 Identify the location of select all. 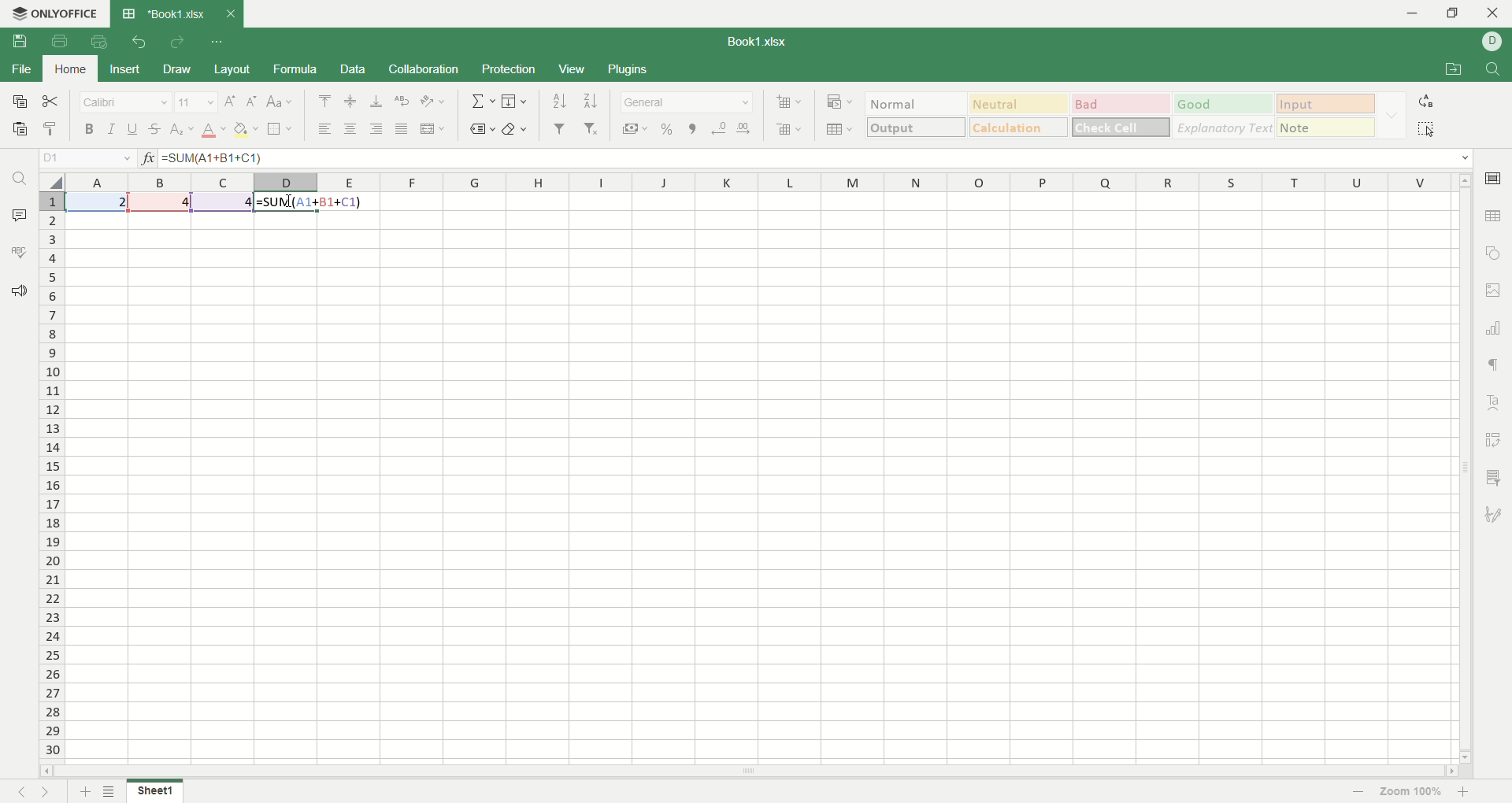
(1426, 128).